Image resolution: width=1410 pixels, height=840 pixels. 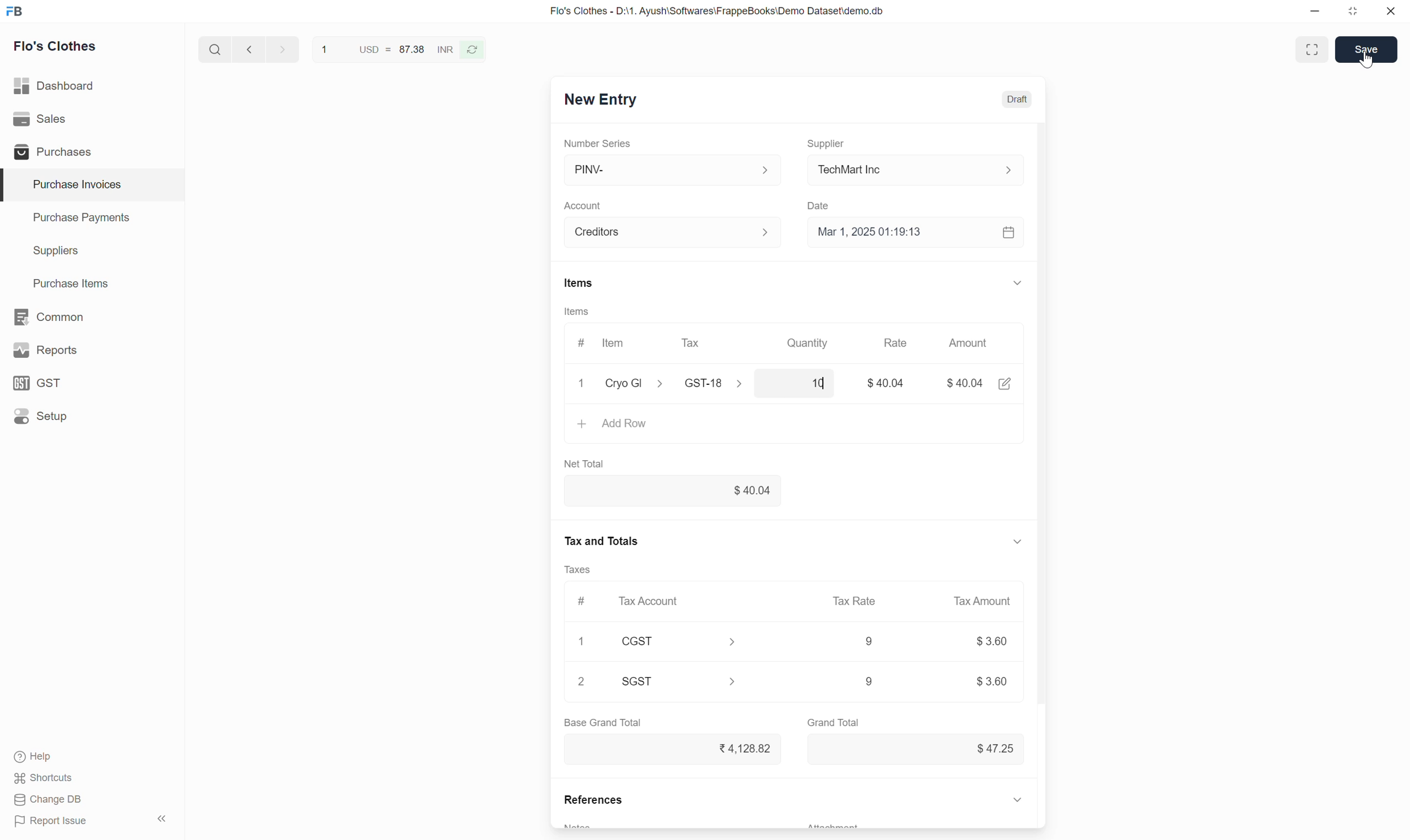 What do you see at coordinates (580, 340) in the screenshot?
I see `#` at bounding box center [580, 340].